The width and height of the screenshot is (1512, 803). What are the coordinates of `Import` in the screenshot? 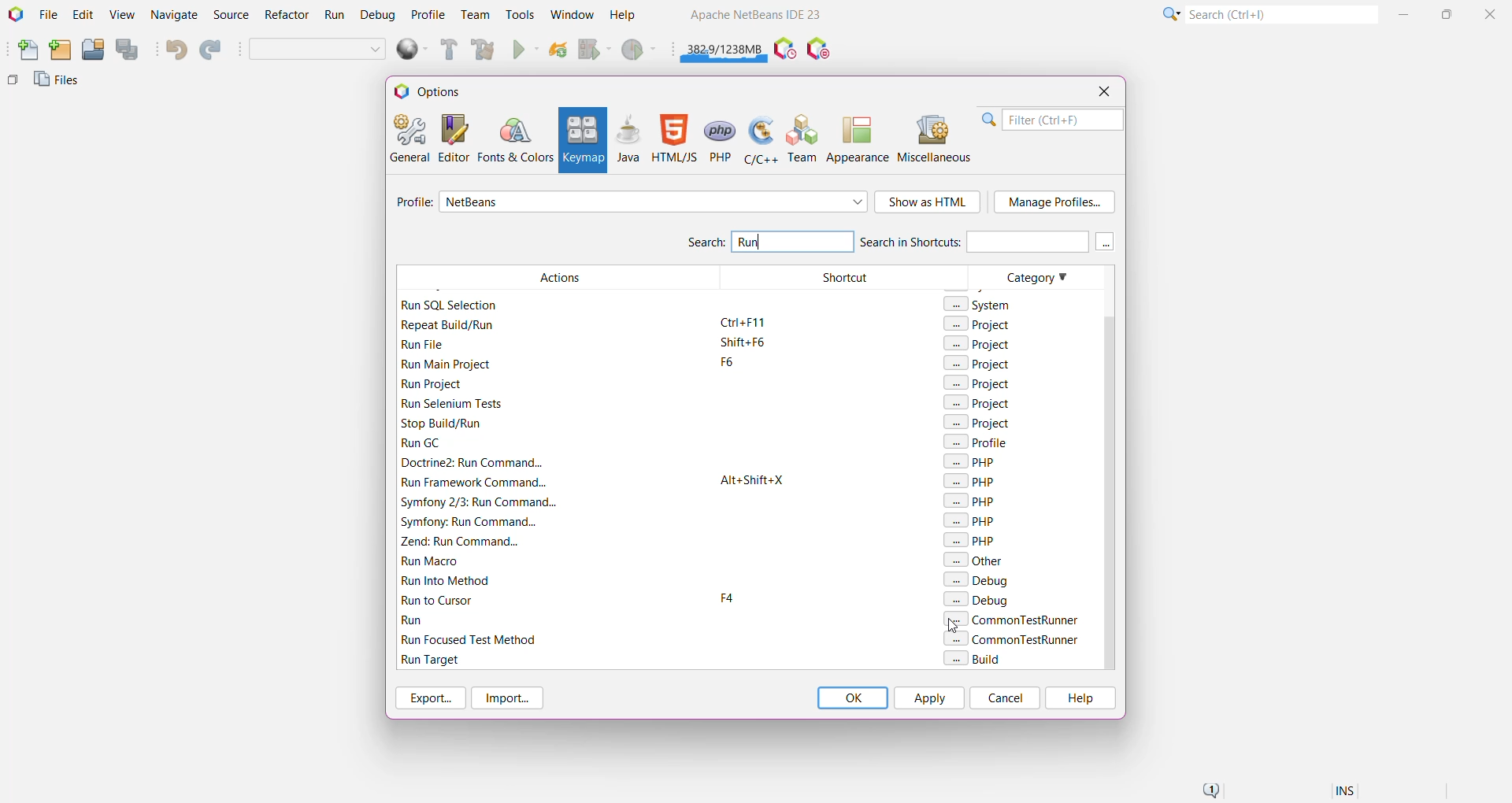 It's located at (510, 698).